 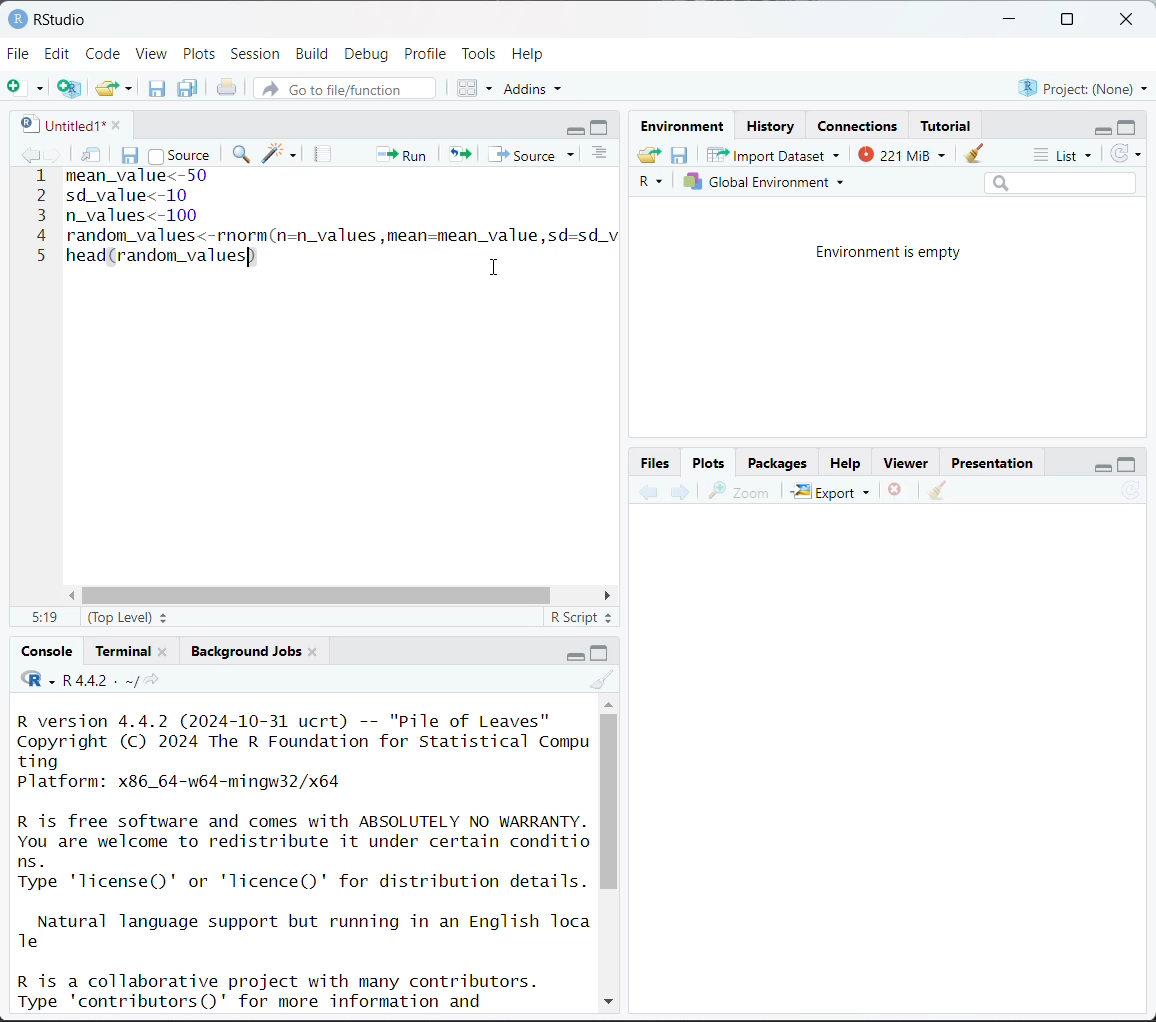 I want to click on 5:19, so click(x=43, y=618).